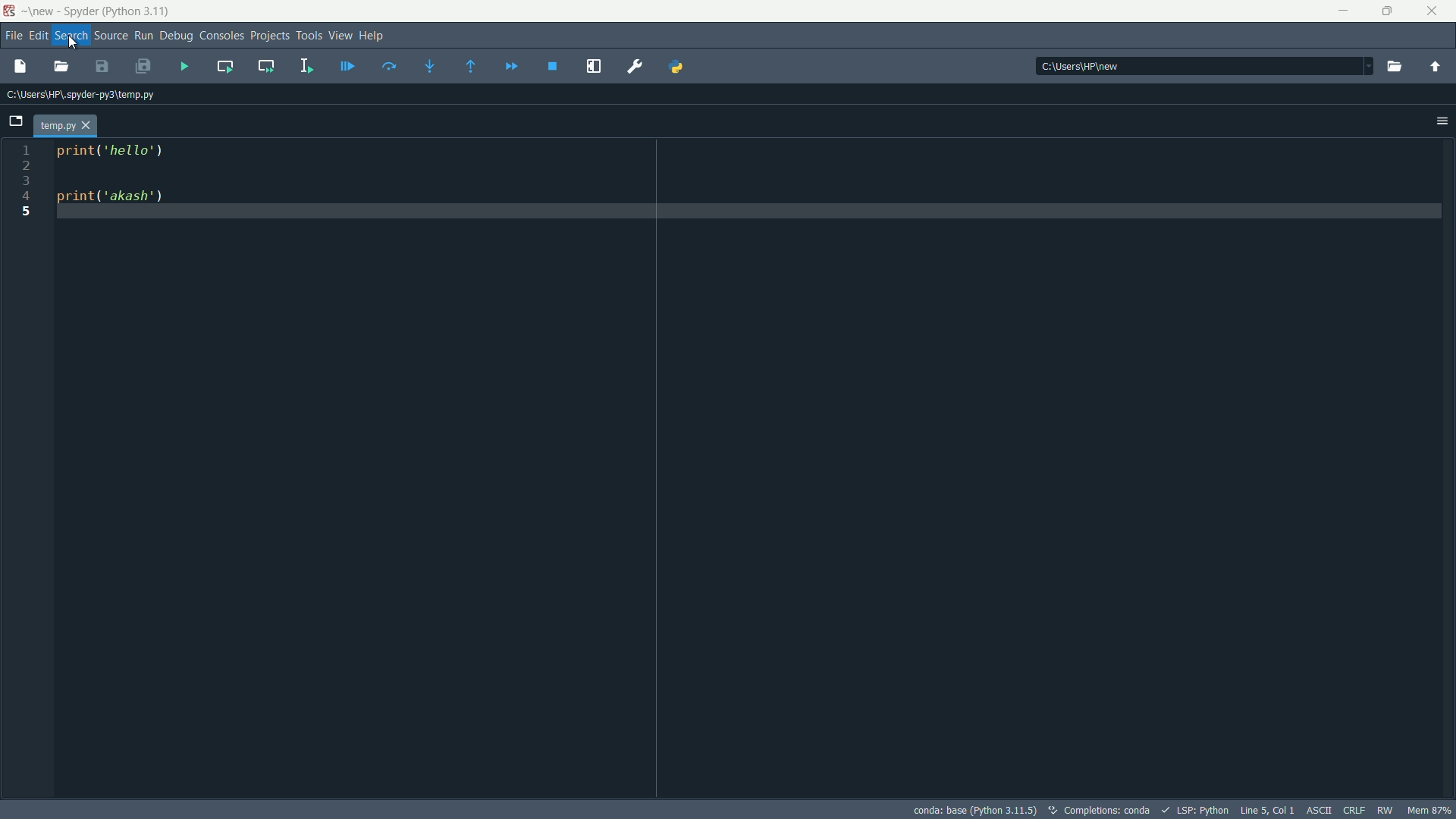  What do you see at coordinates (1386, 809) in the screenshot?
I see `rw` at bounding box center [1386, 809].